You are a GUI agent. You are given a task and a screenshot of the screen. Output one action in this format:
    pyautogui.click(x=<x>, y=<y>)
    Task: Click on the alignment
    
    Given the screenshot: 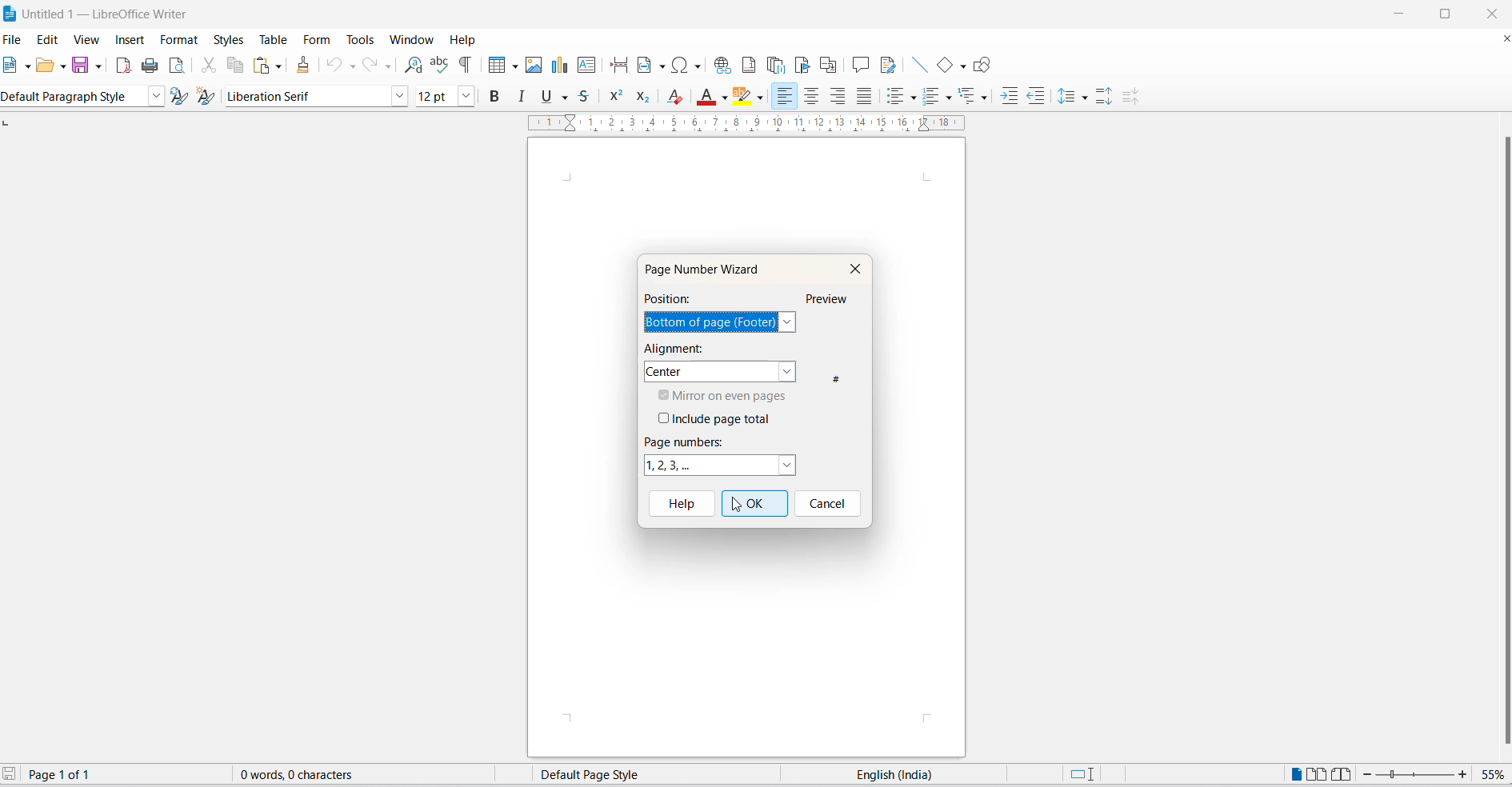 What is the action you would take?
    pyautogui.click(x=674, y=349)
    